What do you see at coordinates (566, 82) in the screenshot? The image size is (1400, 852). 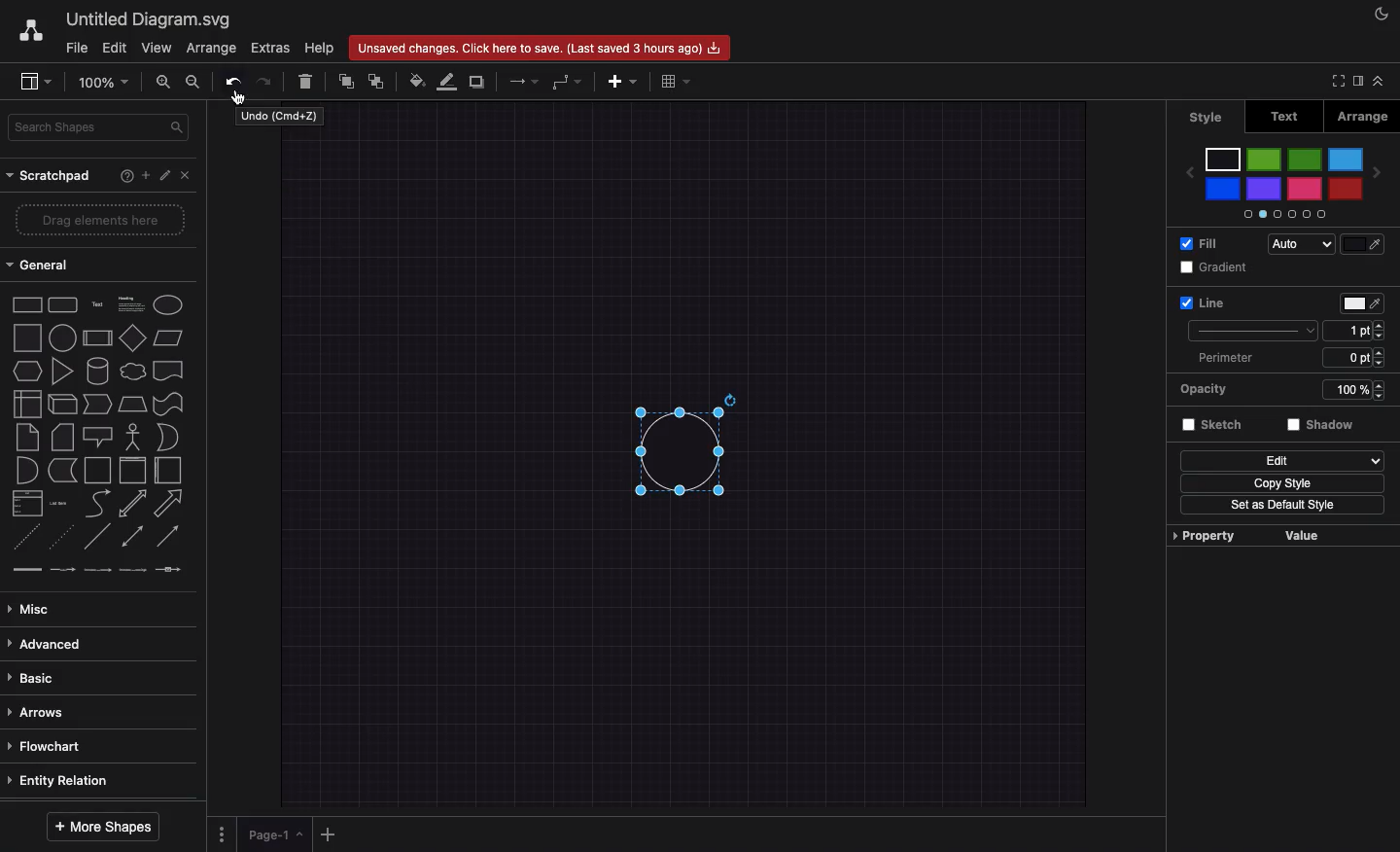 I see `Waypoints ` at bounding box center [566, 82].